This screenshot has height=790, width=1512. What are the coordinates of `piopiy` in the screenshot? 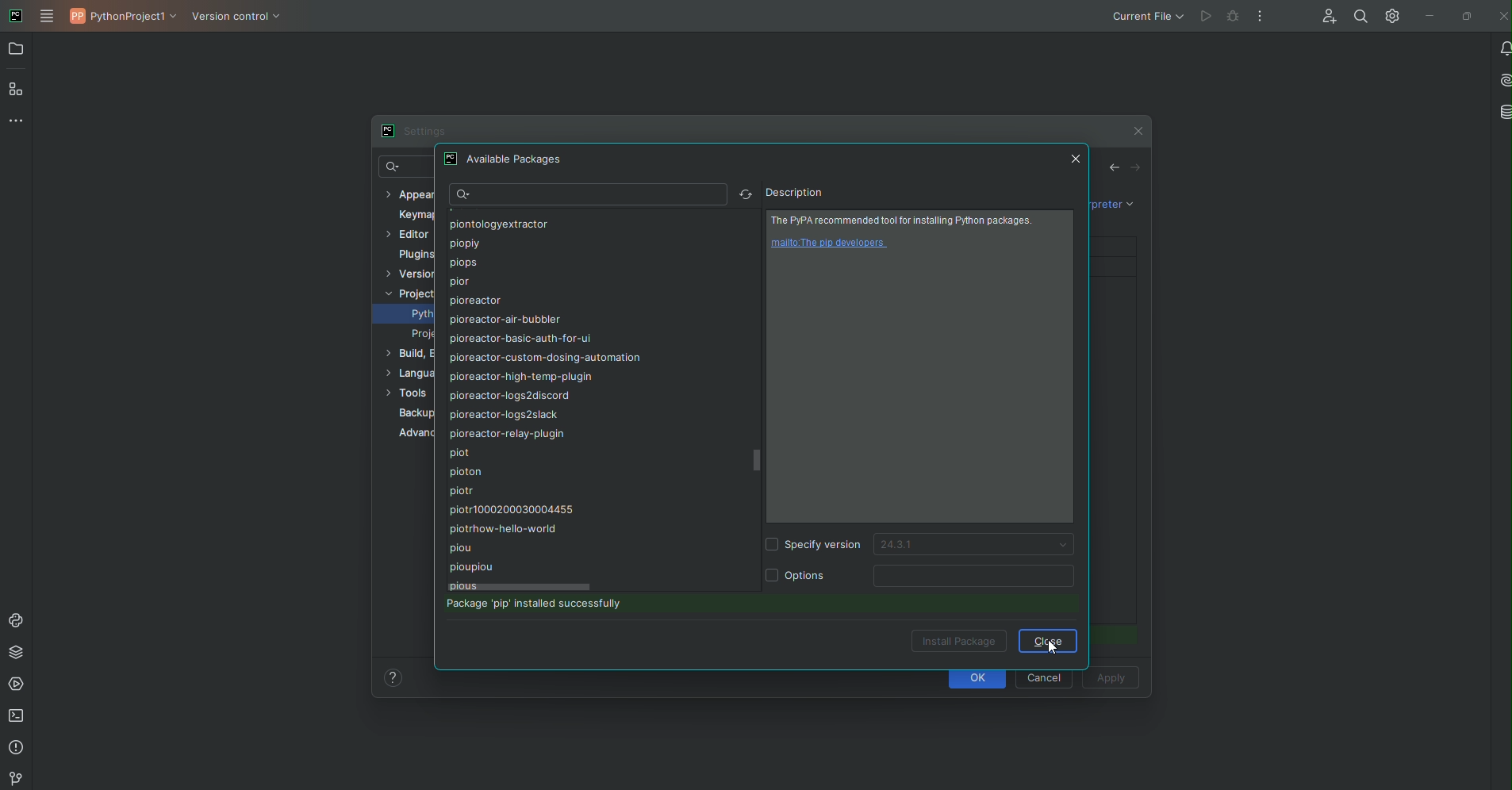 It's located at (463, 244).